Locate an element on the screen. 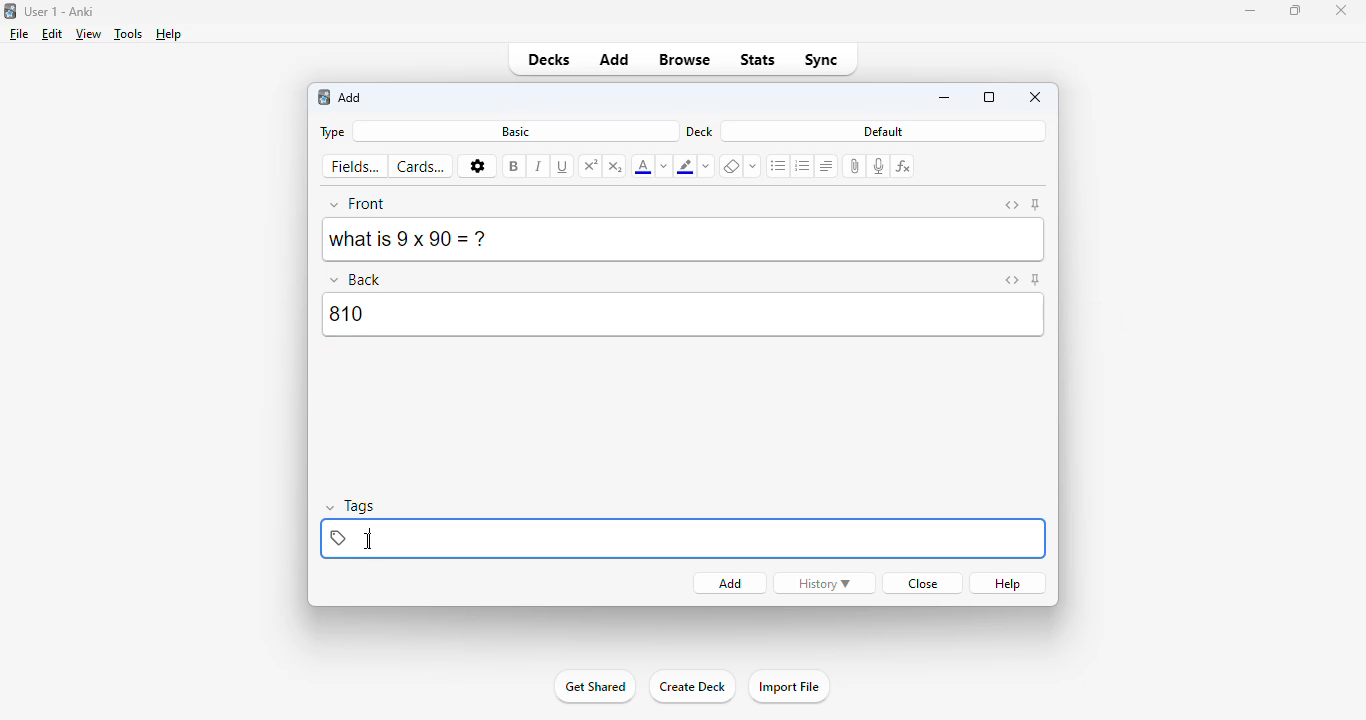 The image size is (1366, 720). toggle HTML editor is located at coordinates (1012, 205).